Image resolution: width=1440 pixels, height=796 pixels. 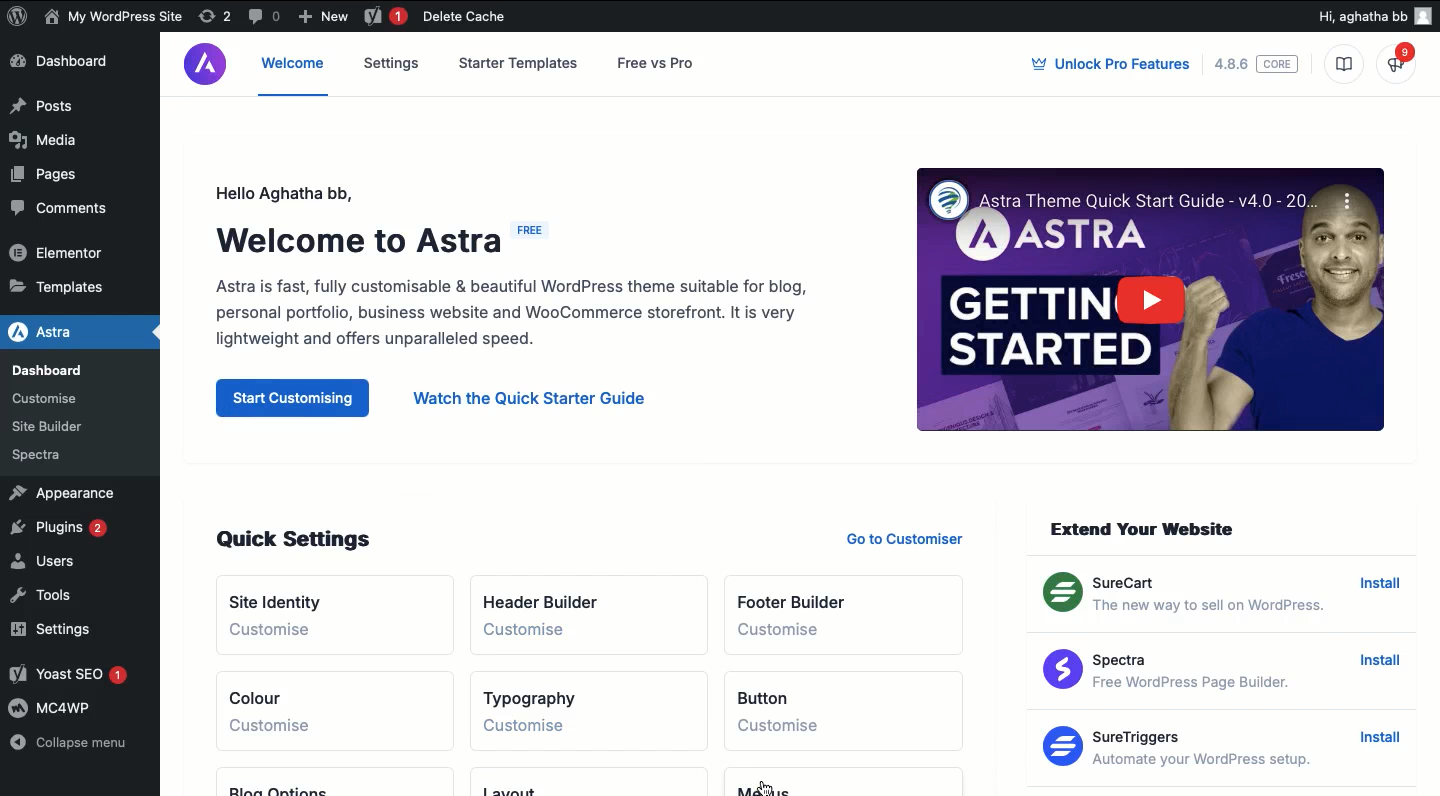 I want to click on Watch the quick starter guide, so click(x=530, y=400).